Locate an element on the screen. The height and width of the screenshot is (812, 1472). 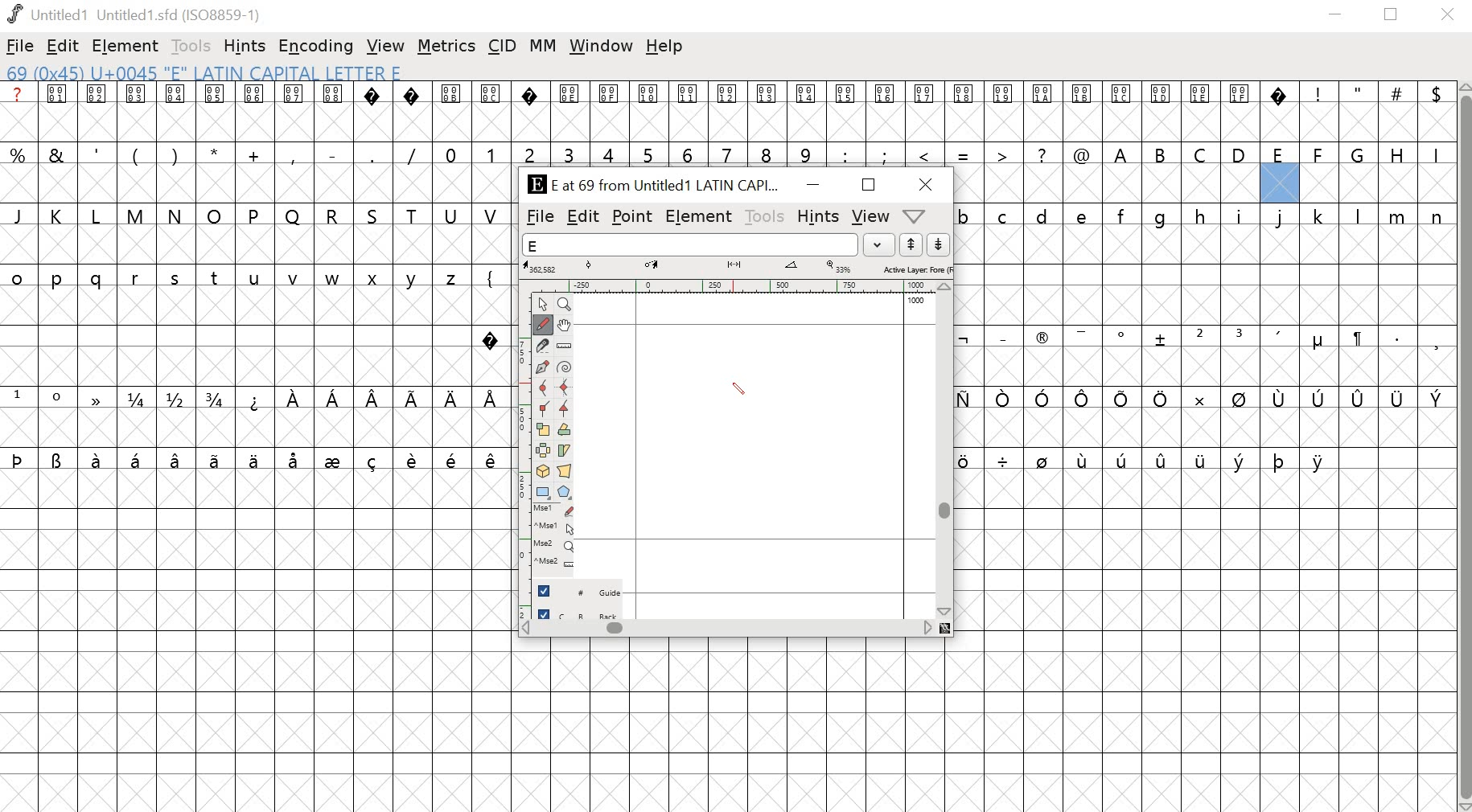
Untitled1 Untitled 1.sfd (IS08859-1) is located at coordinates (135, 14).